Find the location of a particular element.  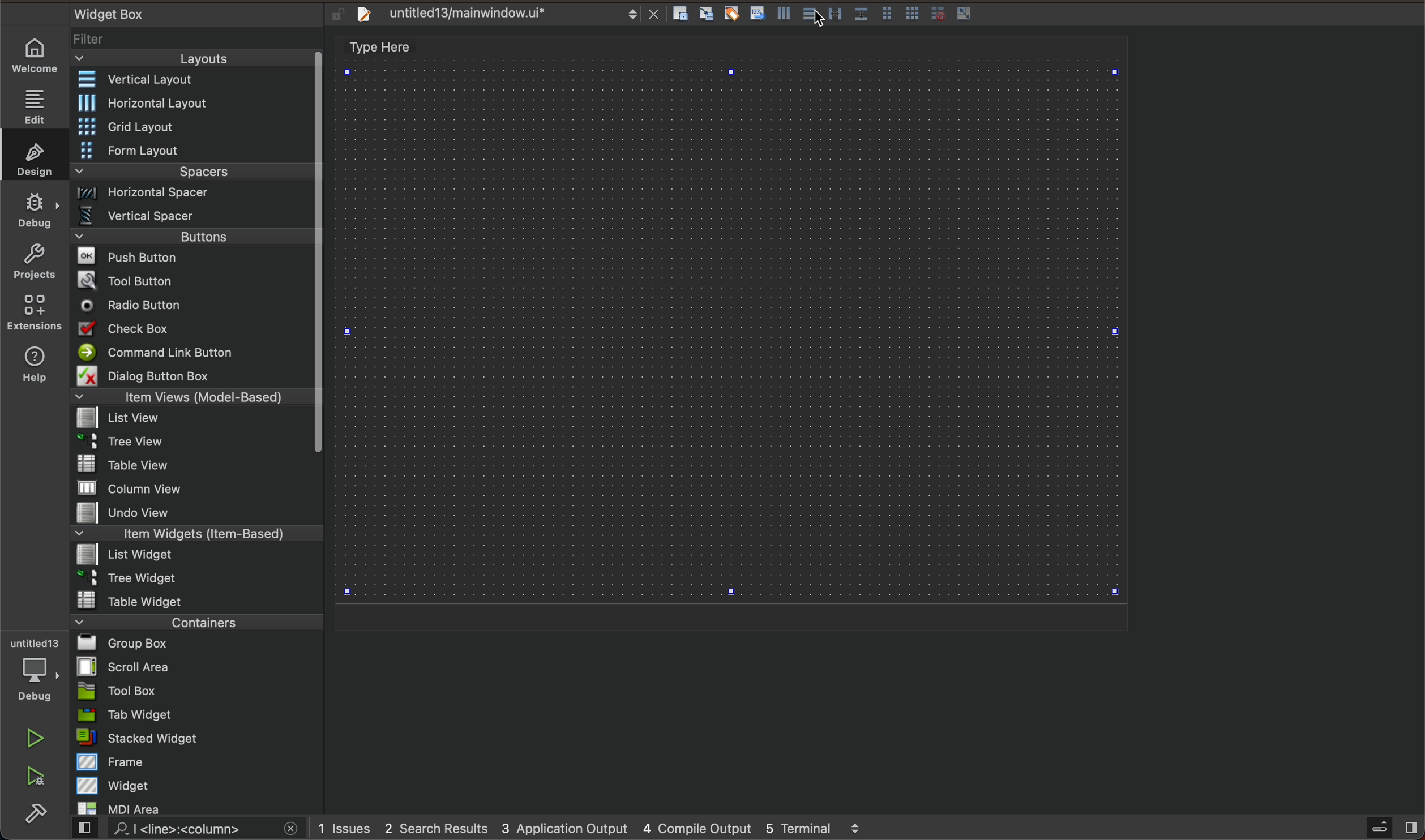

file tab is located at coordinates (503, 16).